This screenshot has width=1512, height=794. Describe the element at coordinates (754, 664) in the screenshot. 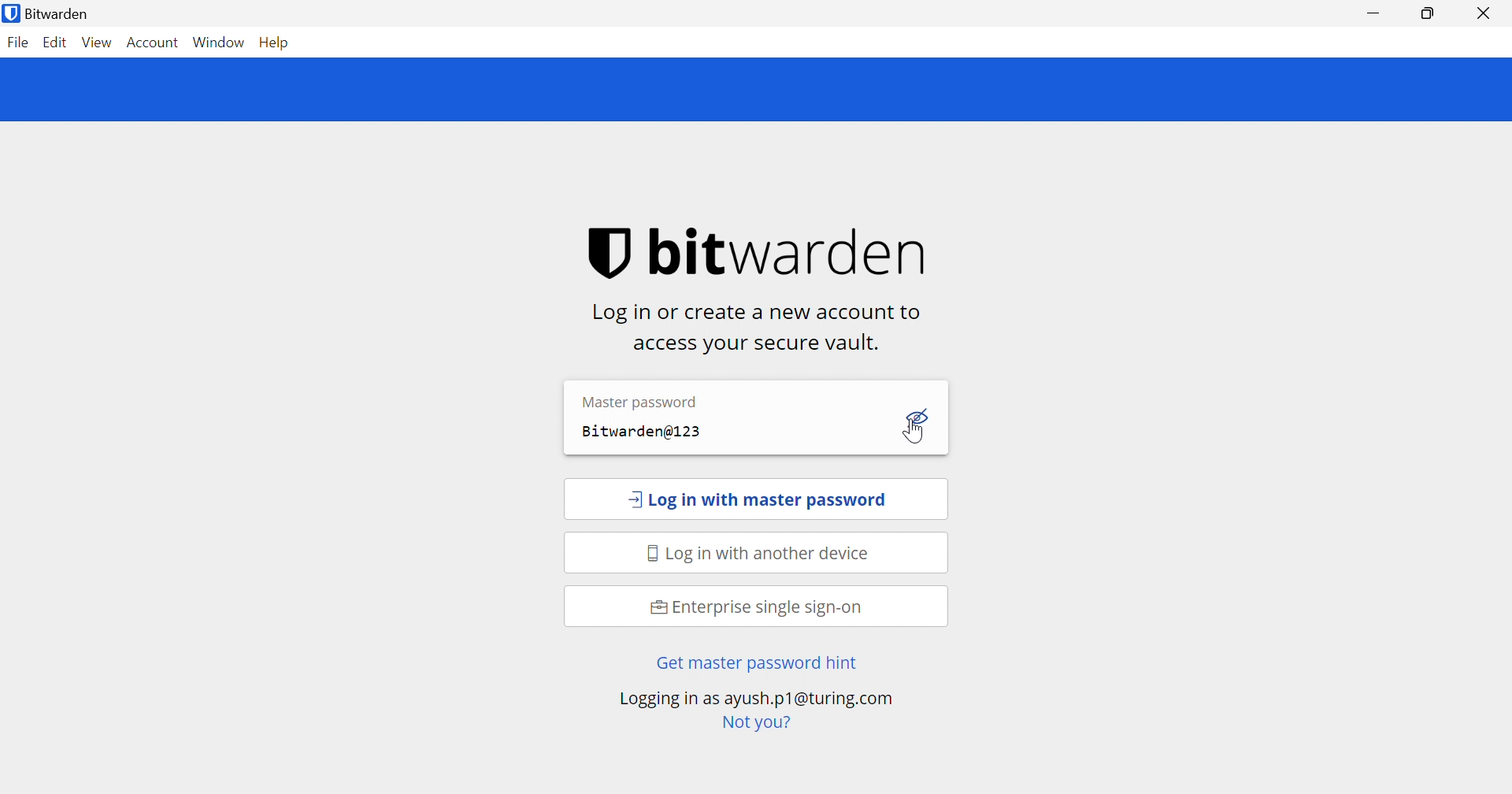

I see `Get master password hint` at that location.